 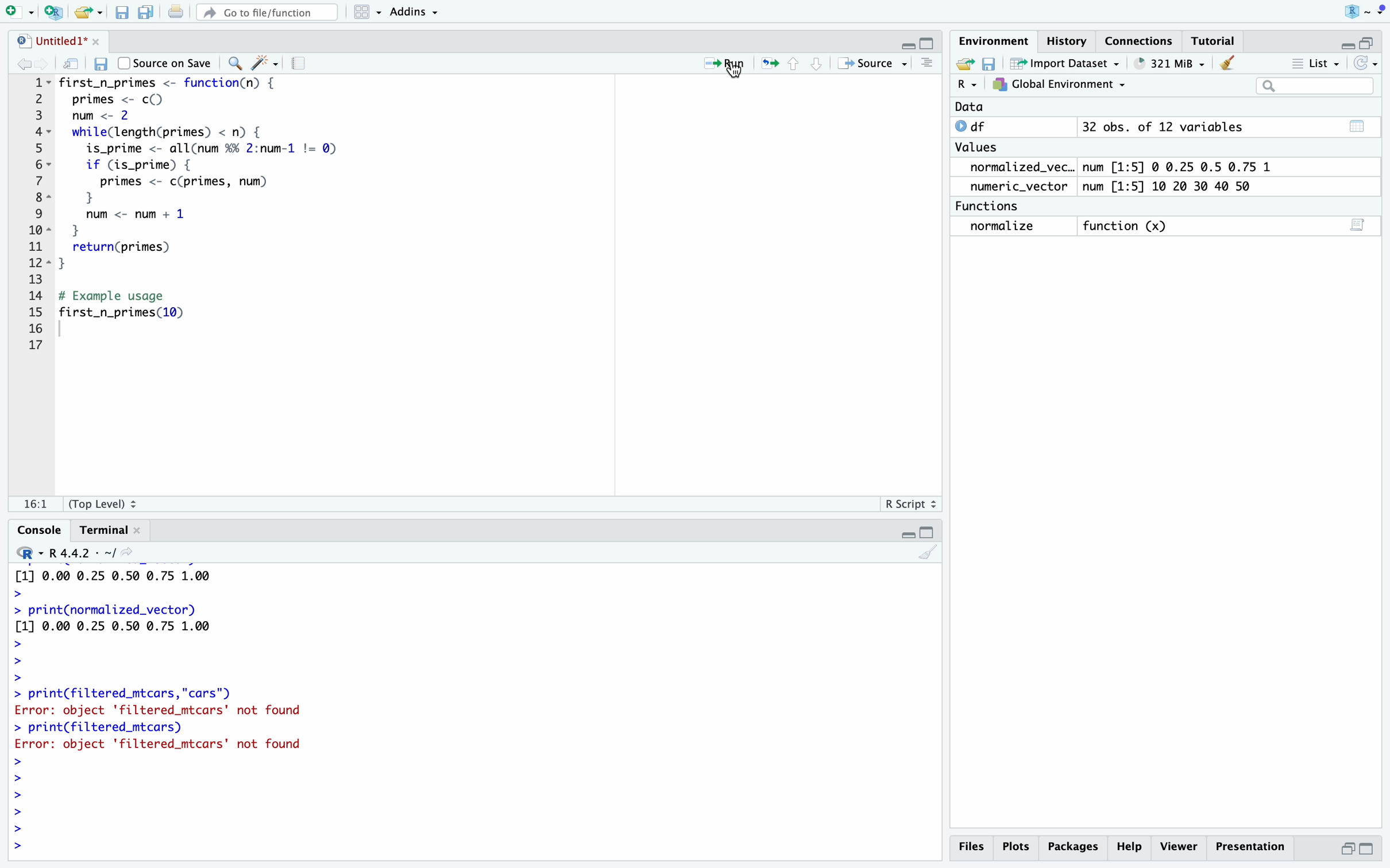 I want to click on normalized_vec.. num [1:5] @ 0.25 0.5 0.75 1, so click(x=1125, y=166).